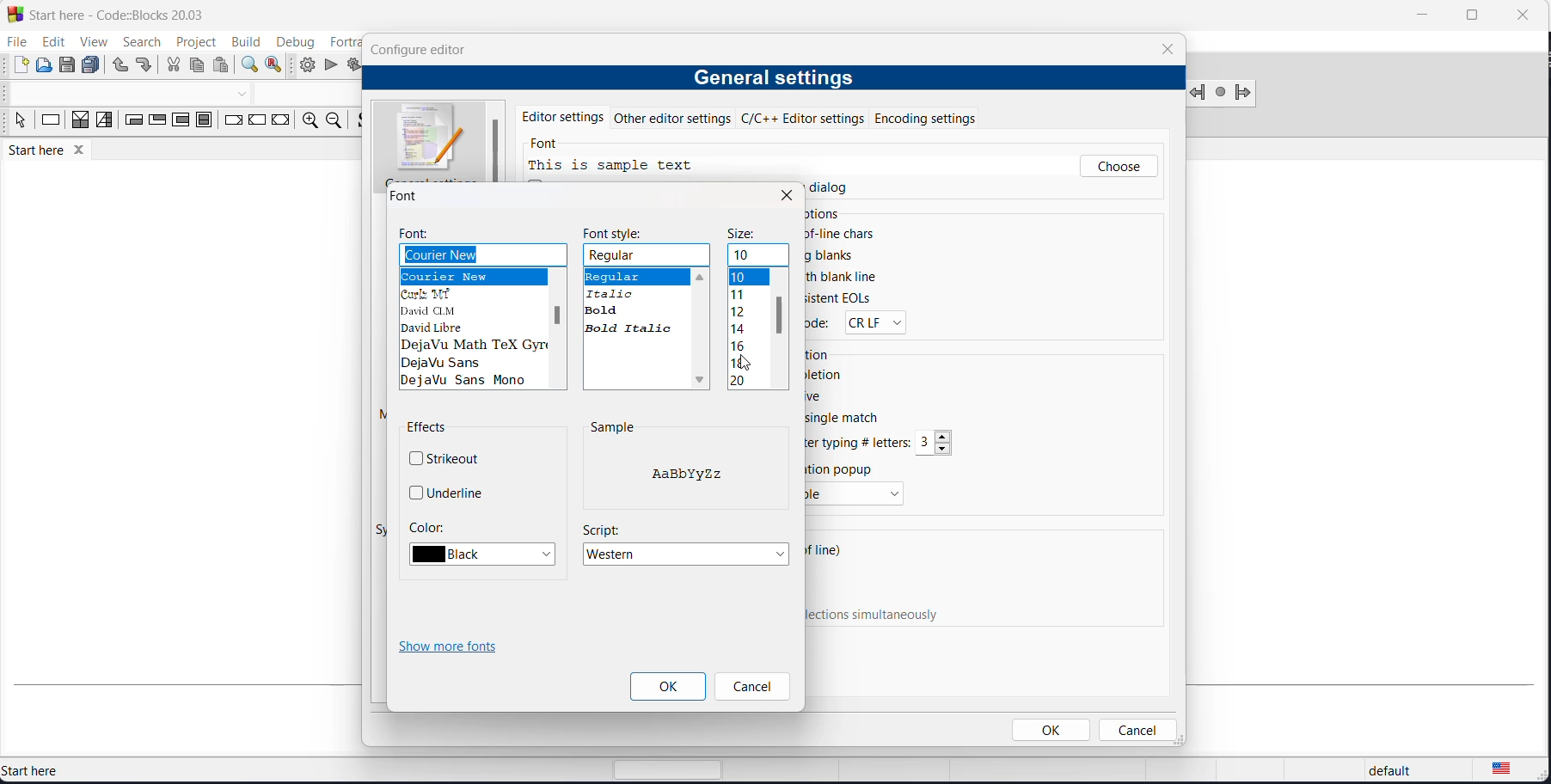  What do you see at coordinates (17, 123) in the screenshot?
I see `select` at bounding box center [17, 123].